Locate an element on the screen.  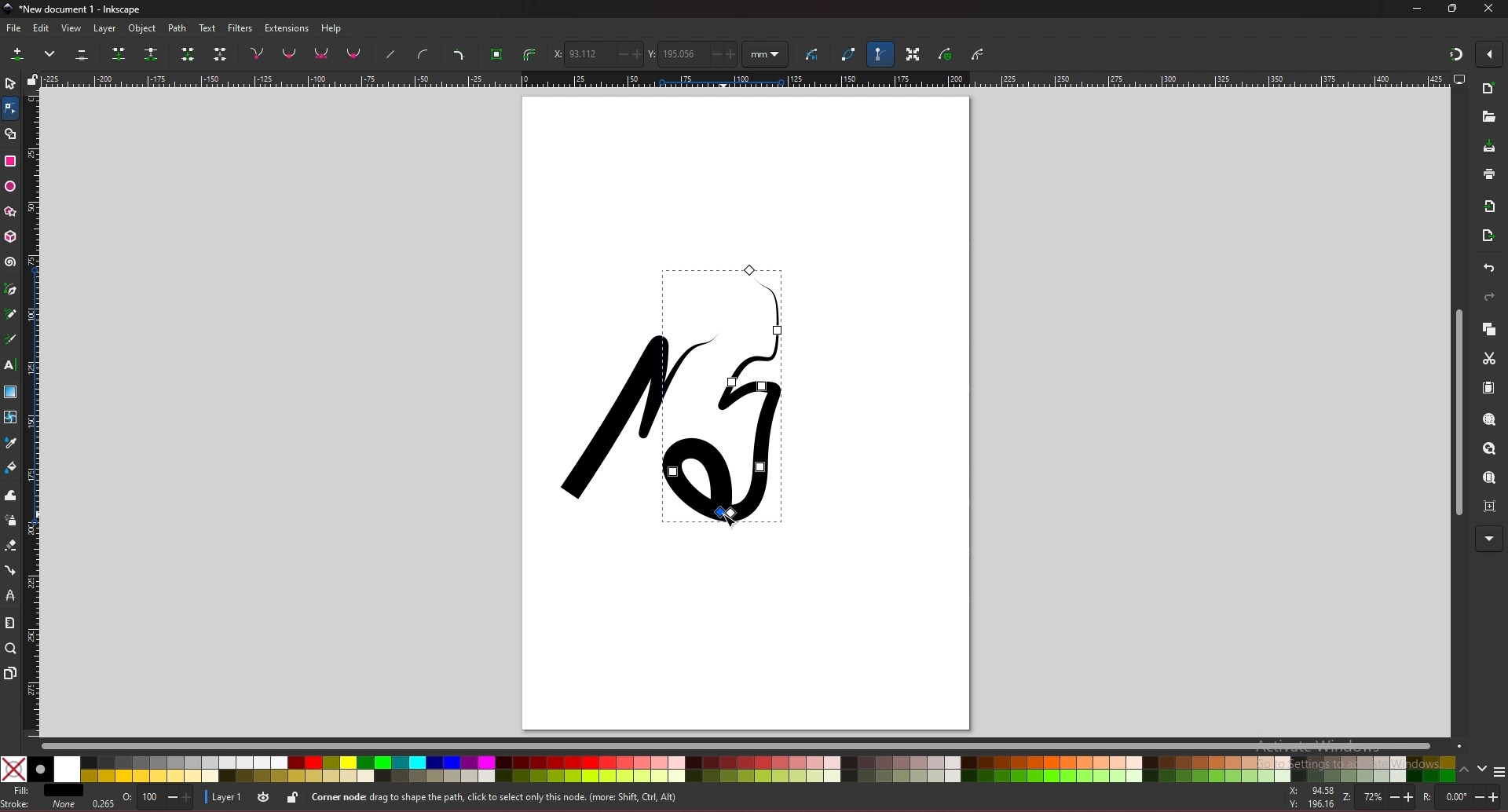
pages is located at coordinates (11, 673).